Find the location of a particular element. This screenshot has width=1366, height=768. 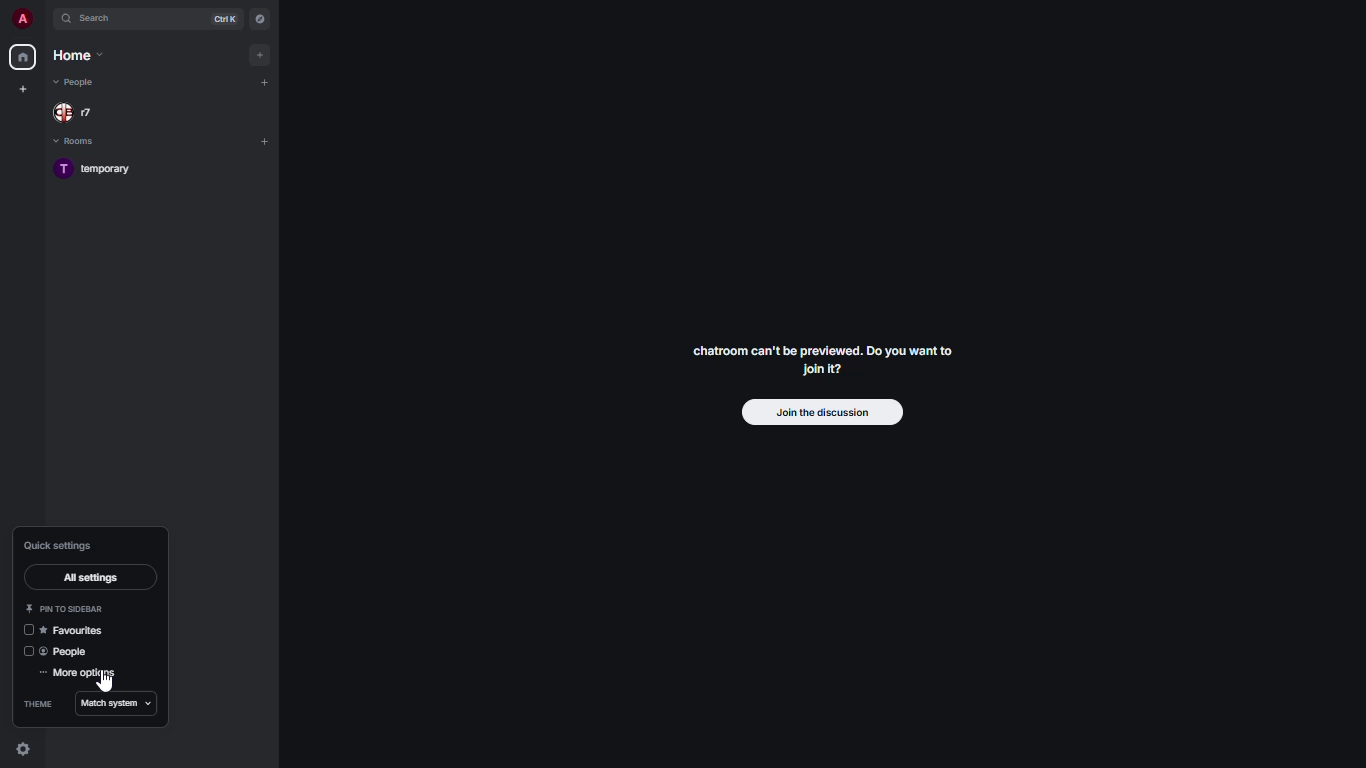

pin to sidebar is located at coordinates (67, 608).